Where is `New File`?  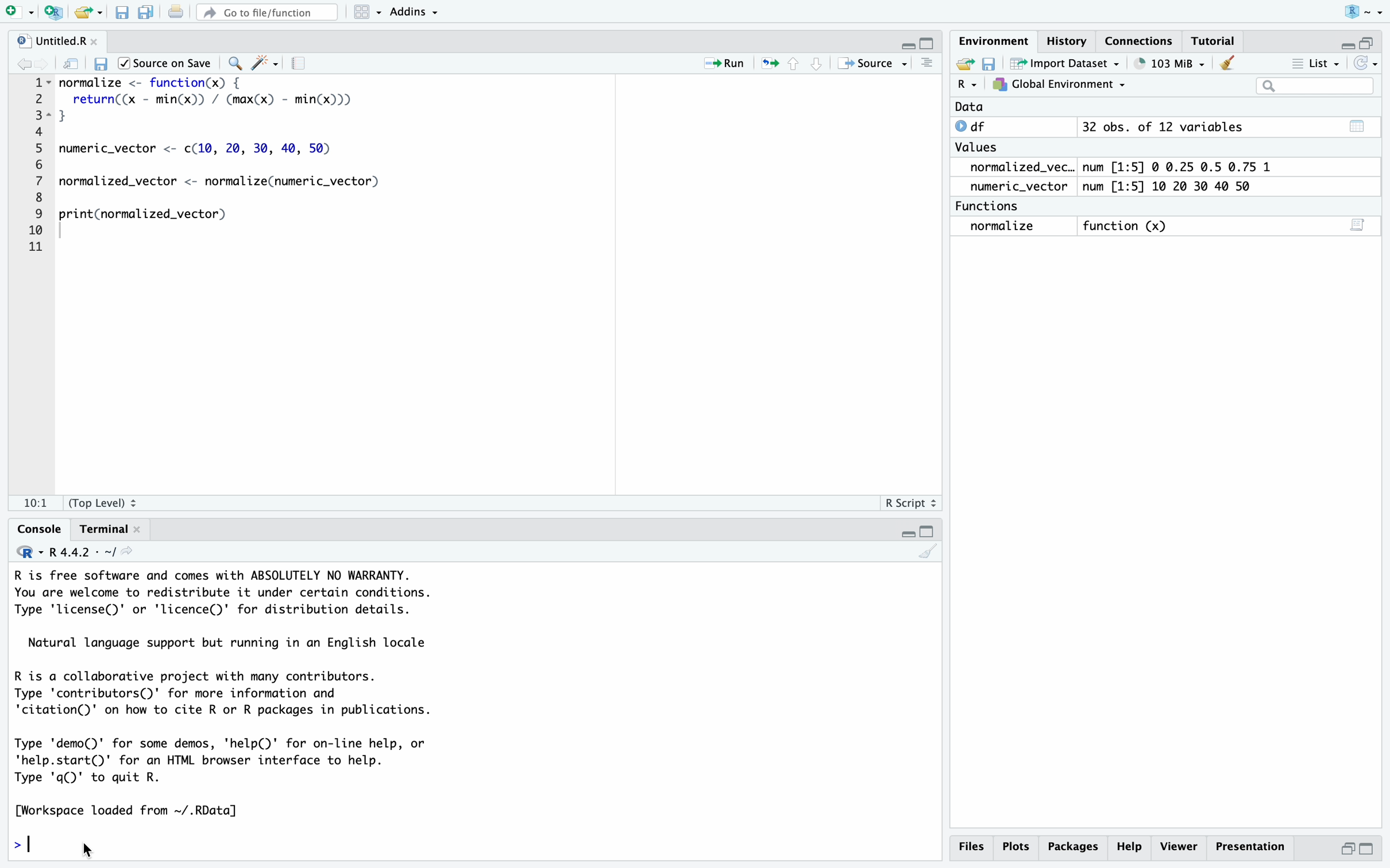 New File is located at coordinates (18, 13).